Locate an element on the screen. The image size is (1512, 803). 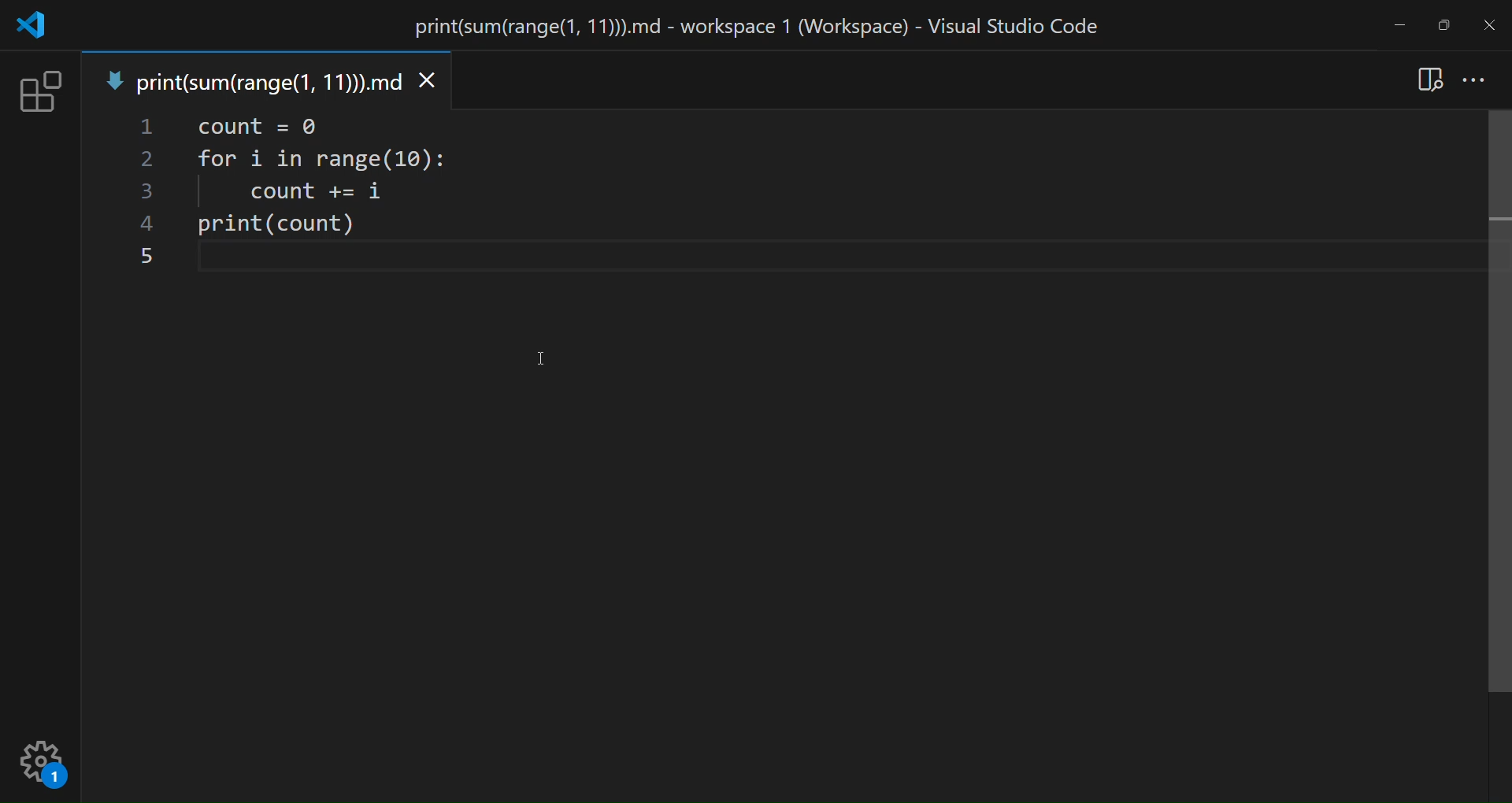
open preview is located at coordinates (1431, 77).